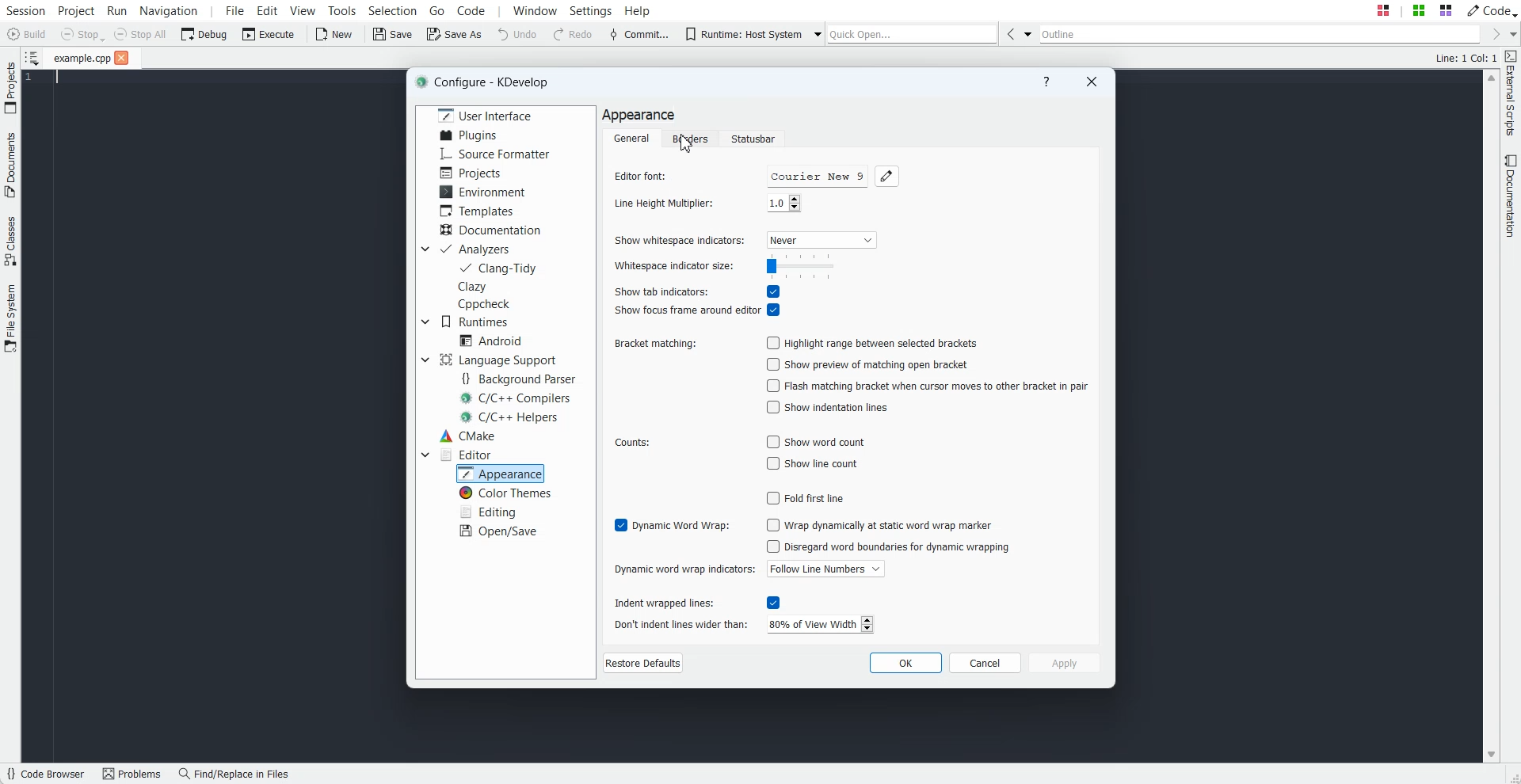  What do you see at coordinates (630, 138) in the screenshot?
I see `General folder selected` at bounding box center [630, 138].